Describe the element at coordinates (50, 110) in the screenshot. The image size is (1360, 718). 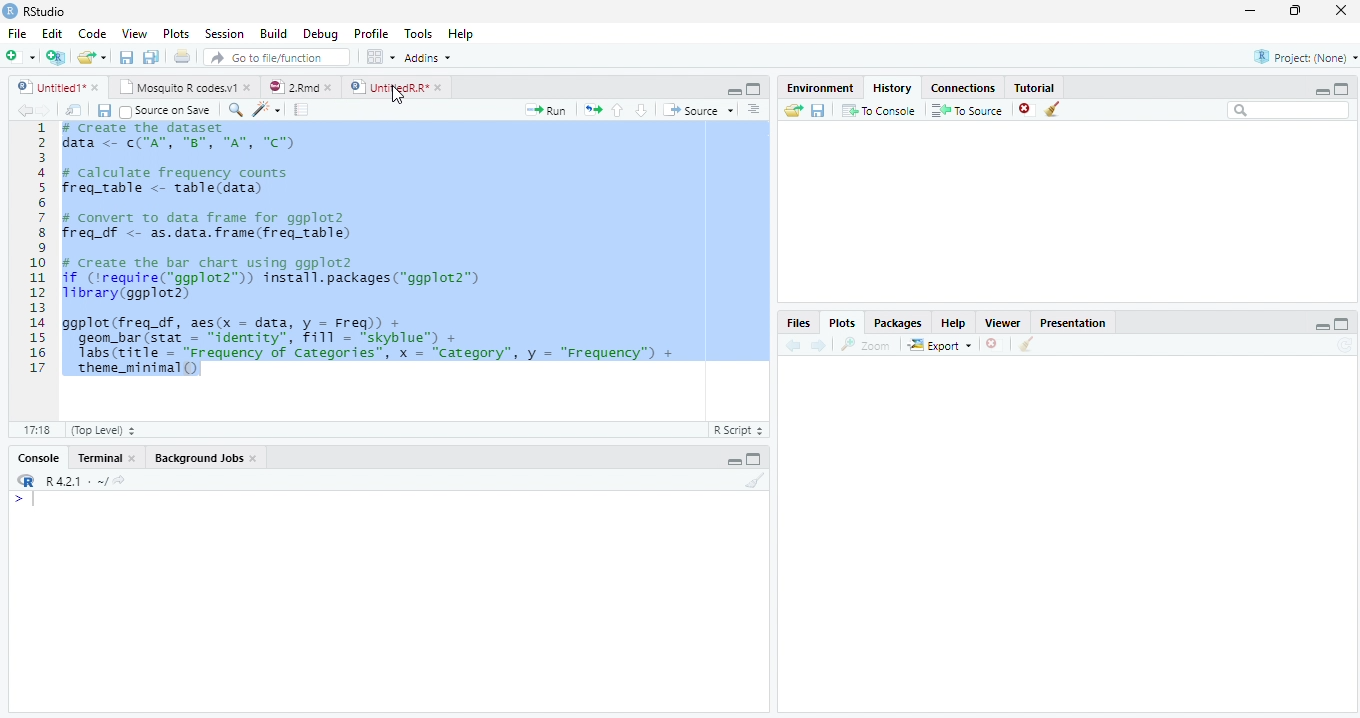
I see `Forward` at that location.